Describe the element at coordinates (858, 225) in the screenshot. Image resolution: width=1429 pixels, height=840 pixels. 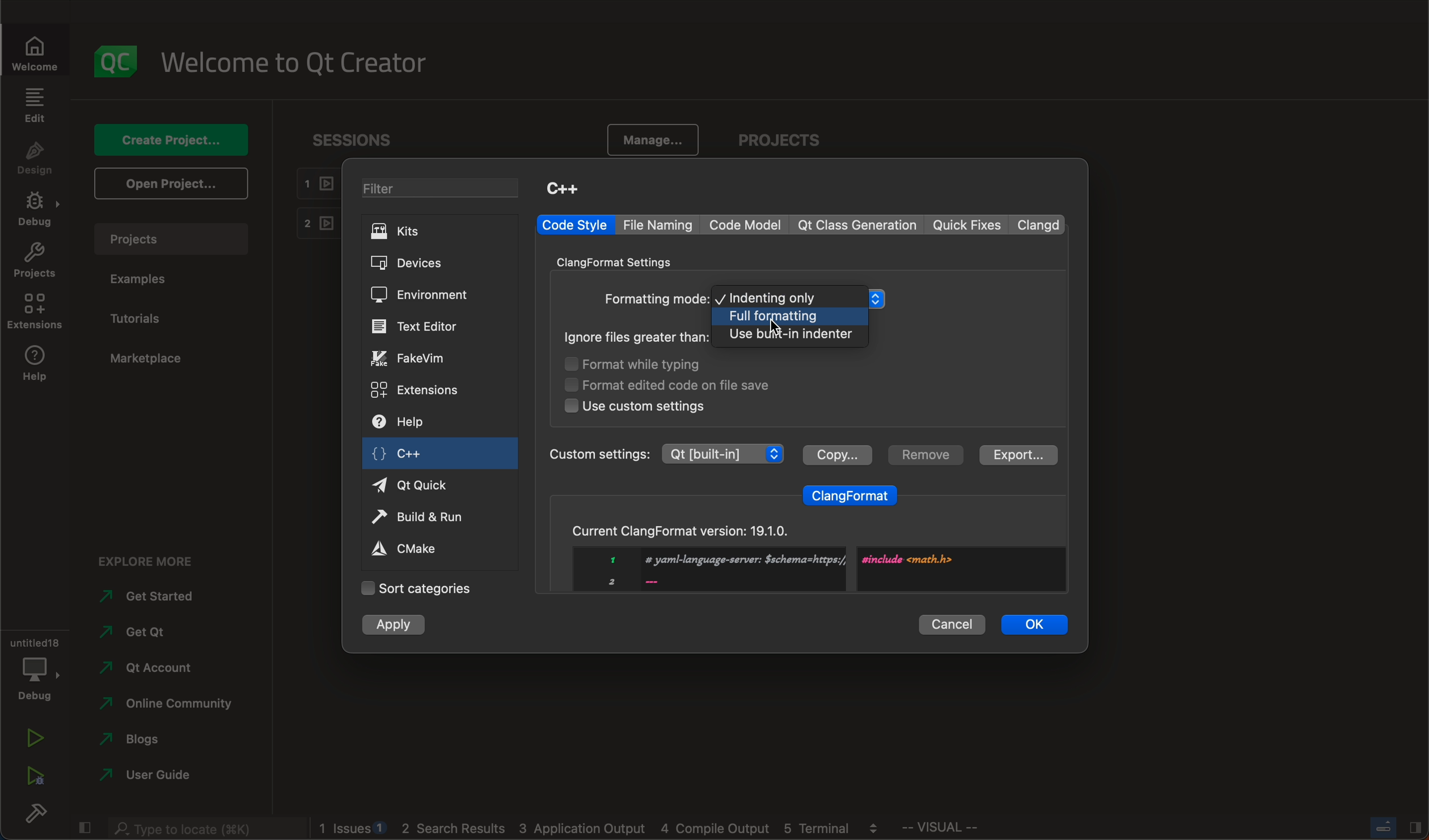
I see `qt class` at that location.